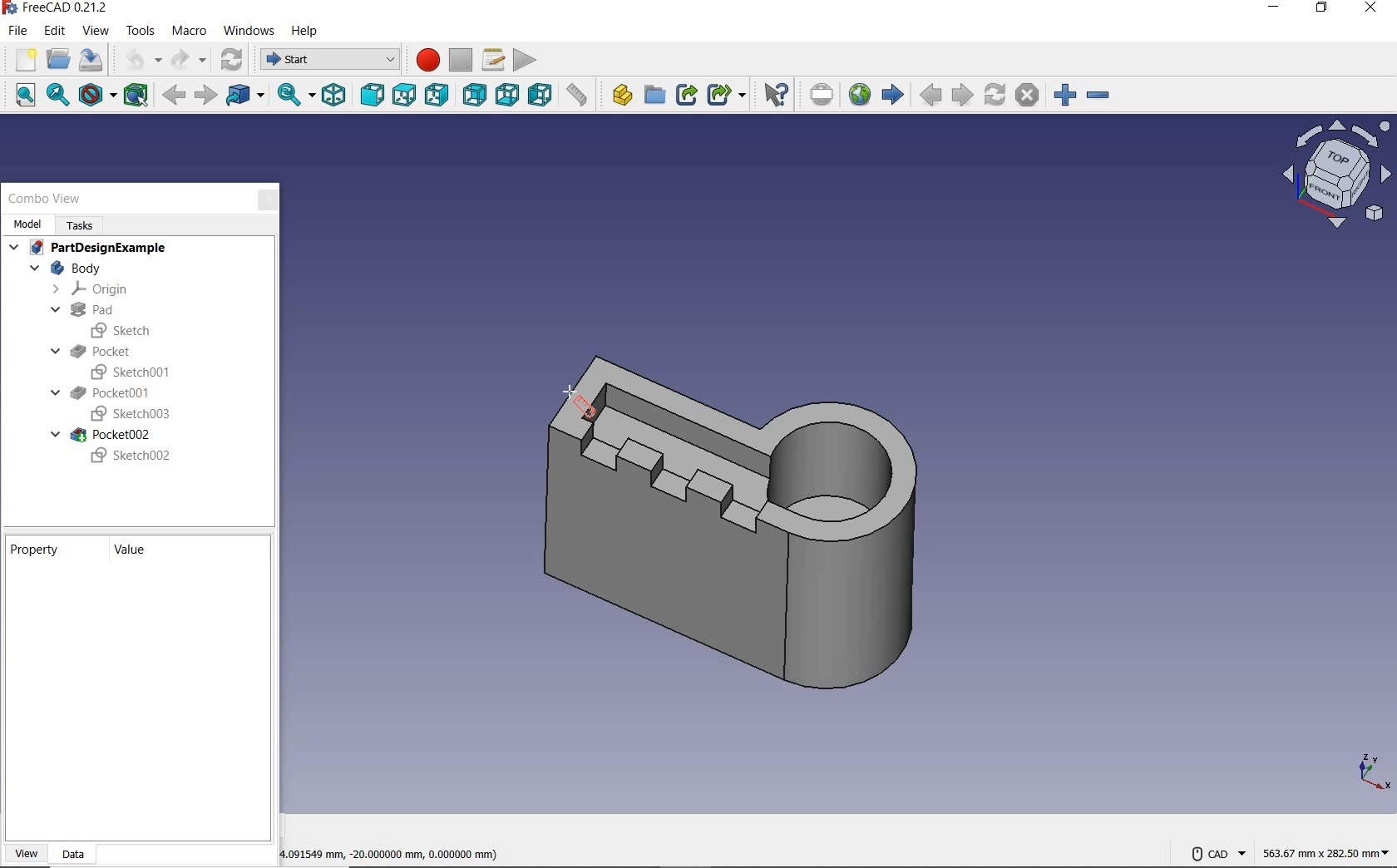 The image size is (1397, 868). What do you see at coordinates (403, 96) in the screenshot?
I see `top` at bounding box center [403, 96].